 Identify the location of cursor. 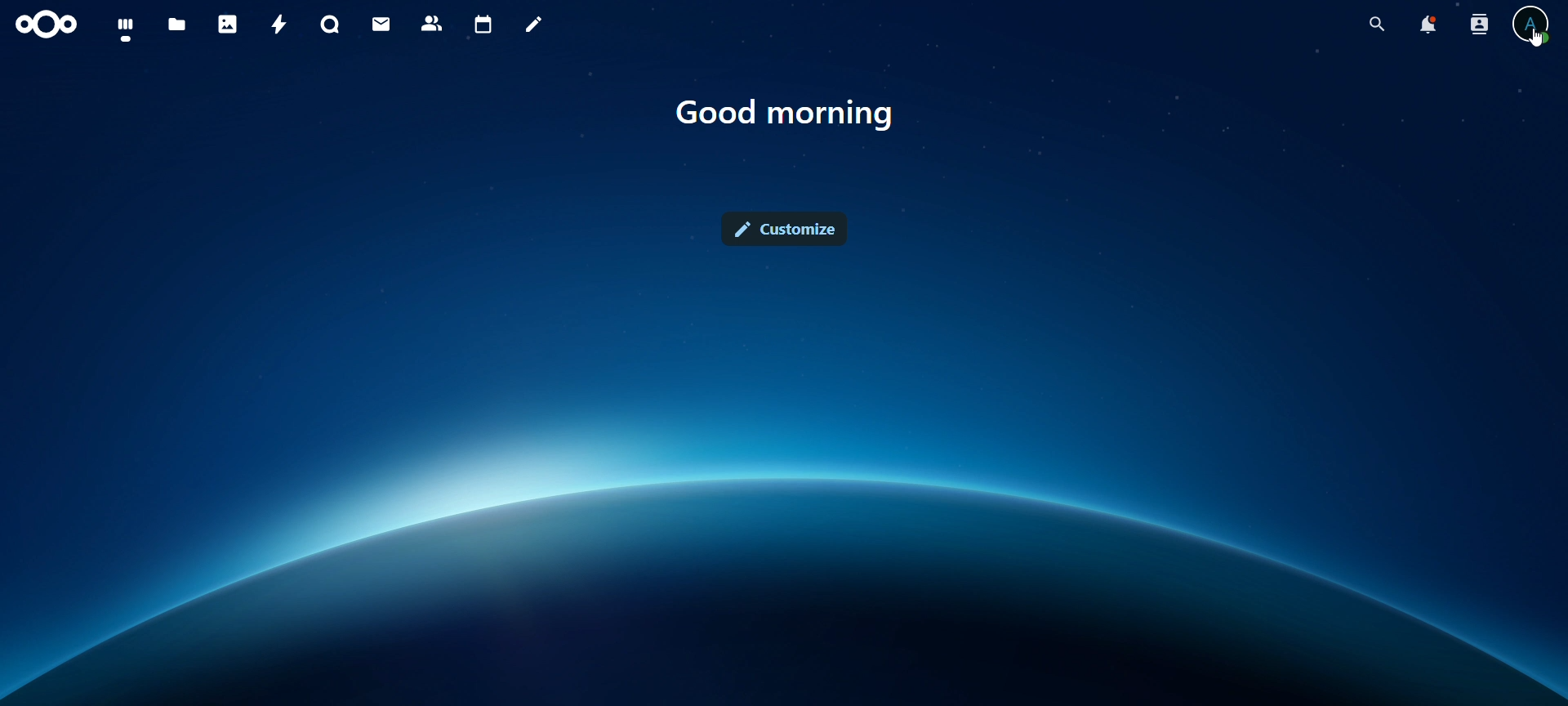
(1535, 43).